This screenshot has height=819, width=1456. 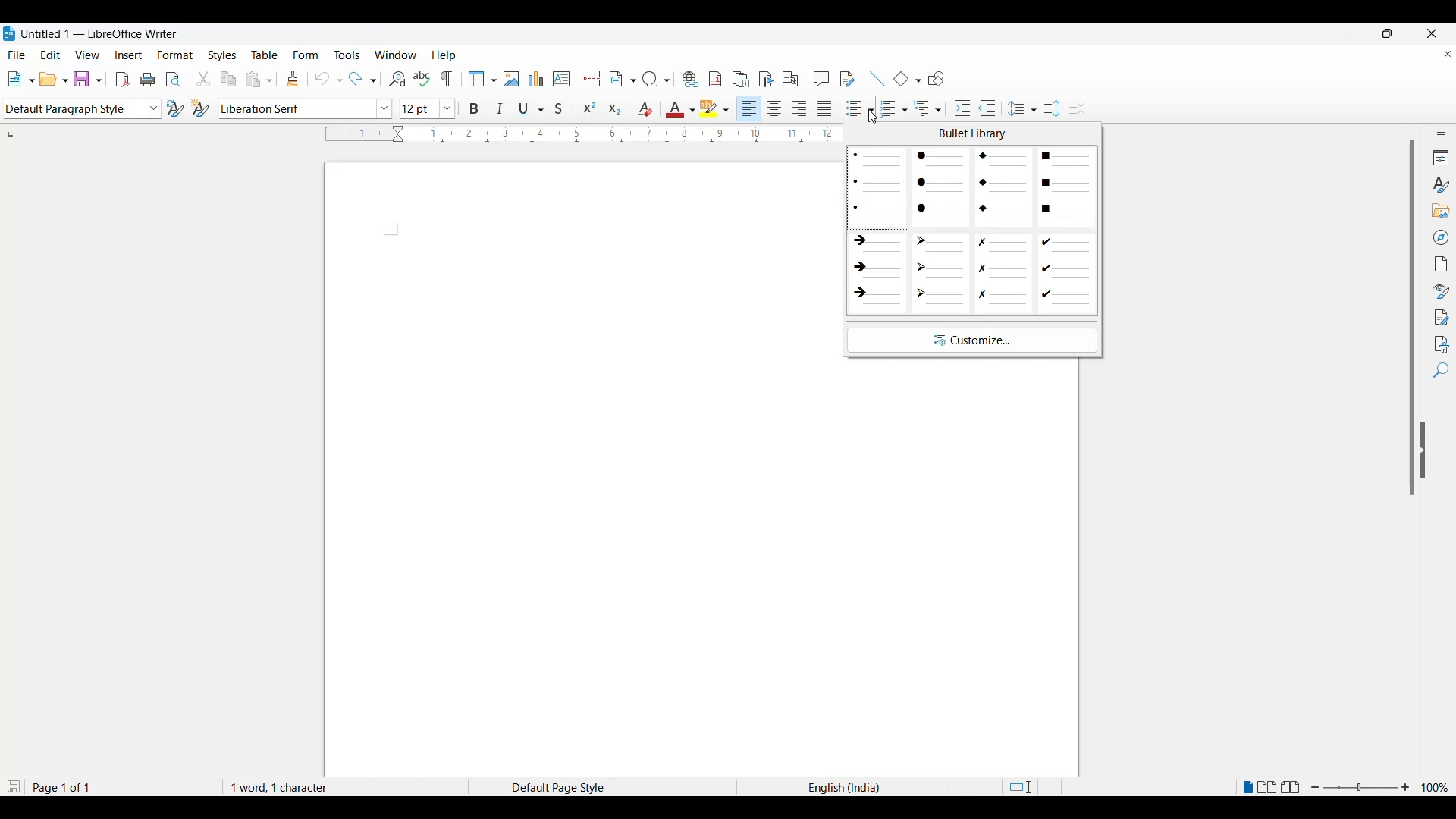 I want to click on italic, so click(x=502, y=108).